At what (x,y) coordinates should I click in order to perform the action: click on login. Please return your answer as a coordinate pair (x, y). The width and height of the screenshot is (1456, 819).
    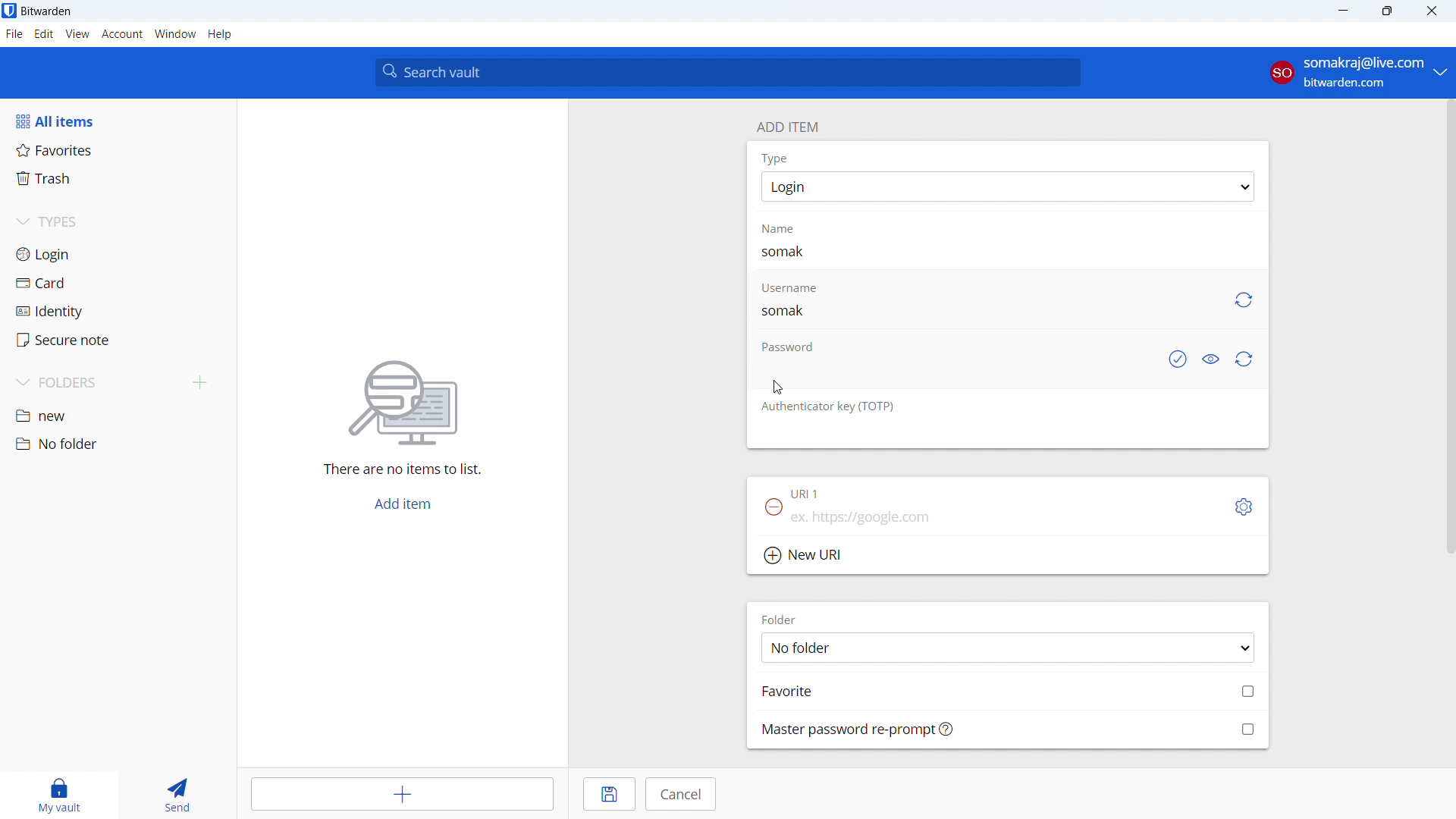
    Looking at the image, I should click on (118, 254).